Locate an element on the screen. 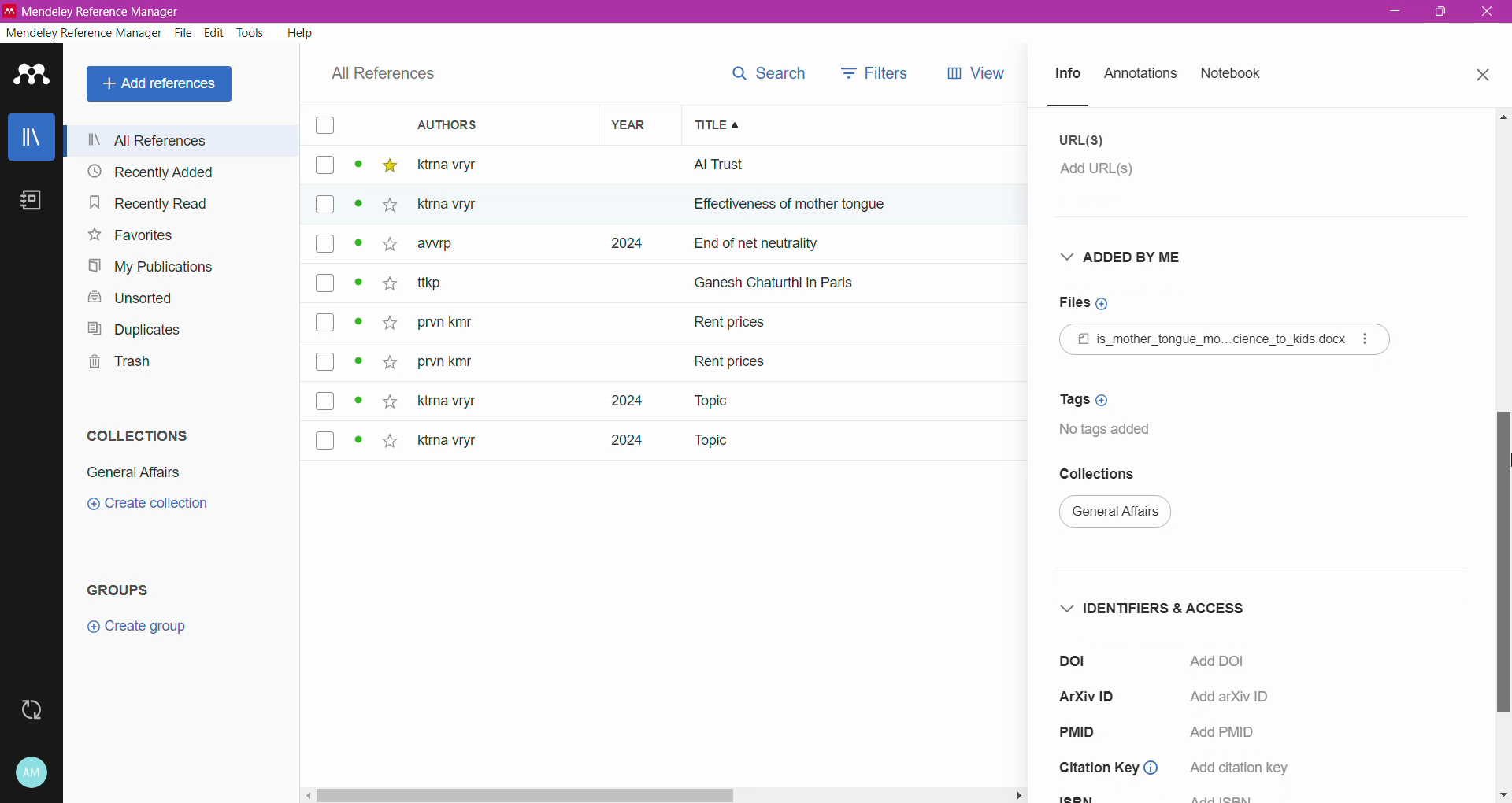  all trust is located at coordinates (803, 165).